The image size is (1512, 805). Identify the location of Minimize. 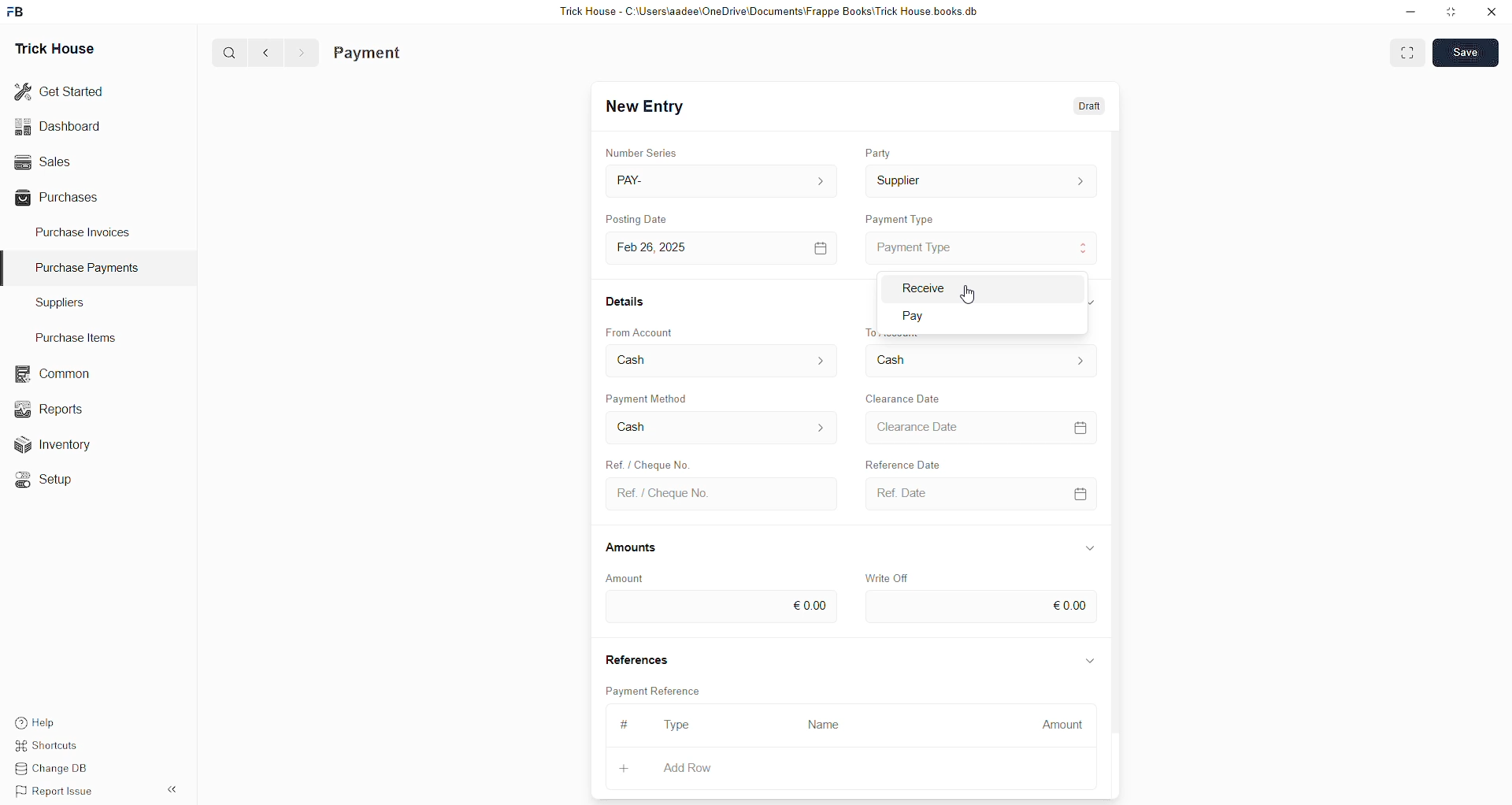
(1410, 13).